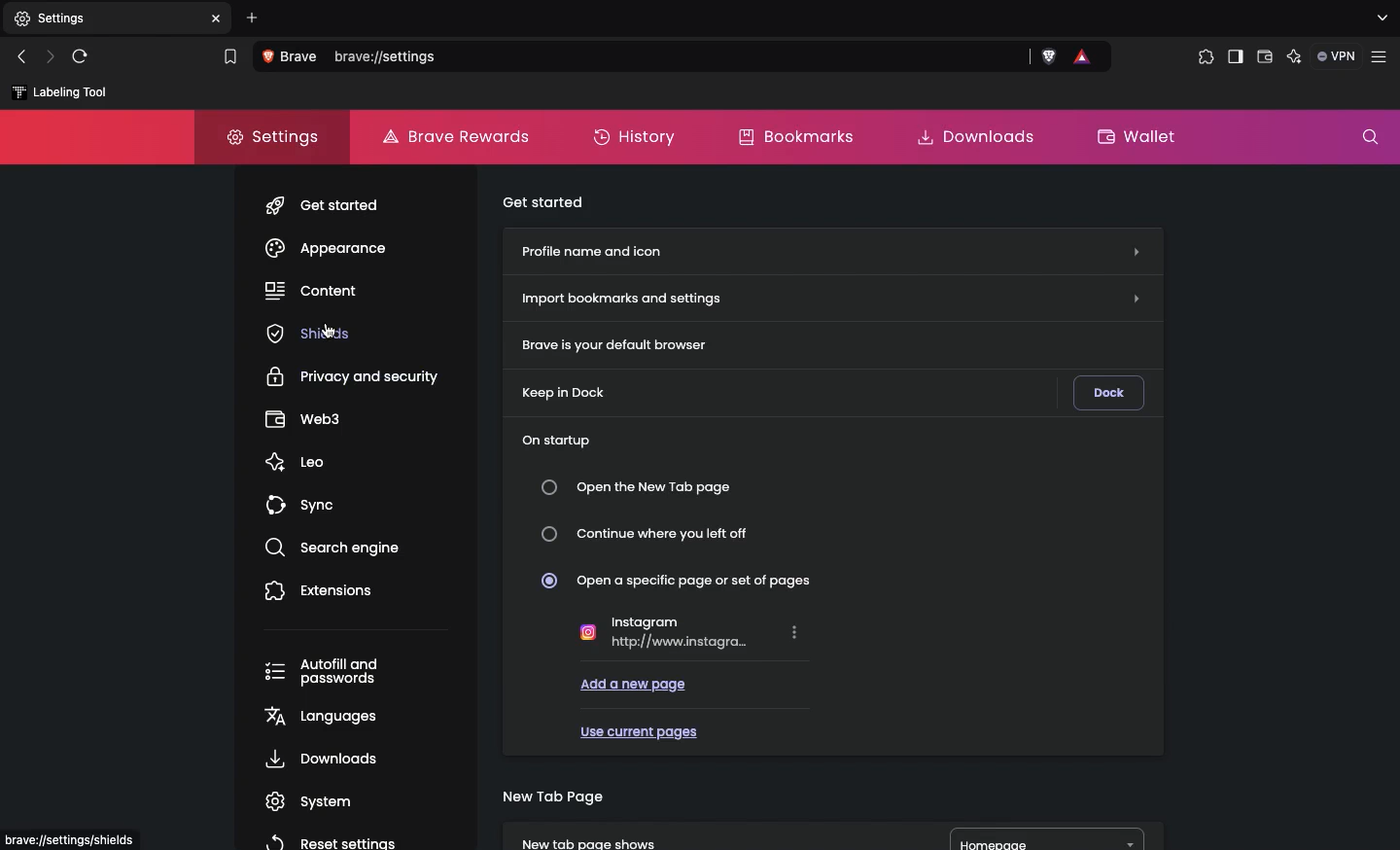 Image resolution: width=1400 pixels, height=850 pixels. What do you see at coordinates (678, 581) in the screenshot?
I see `Open a specific page or set of pages` at bounding box center [678, 581].